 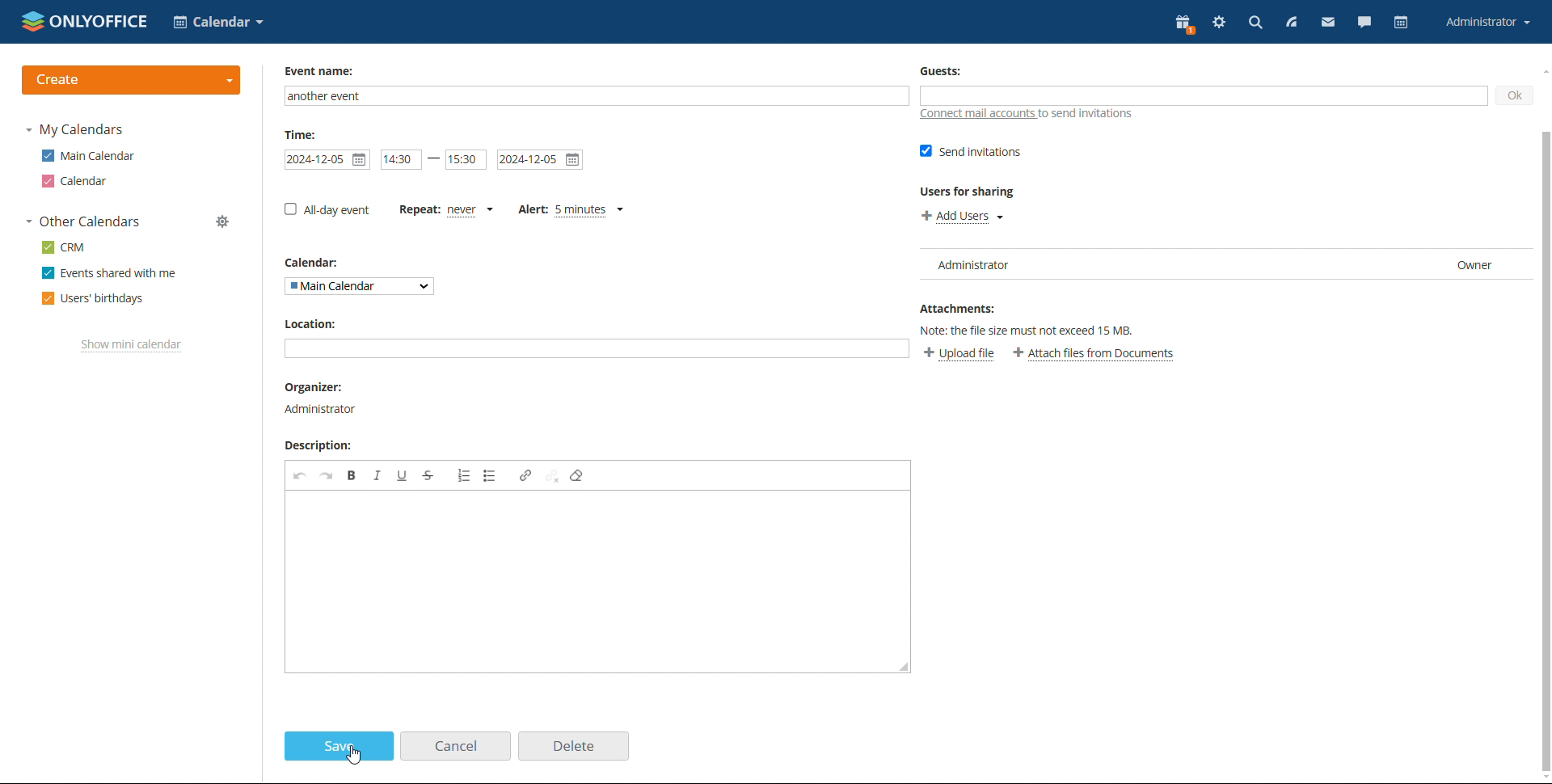 I want to click on Calendar:, so click(x=318, y=263).